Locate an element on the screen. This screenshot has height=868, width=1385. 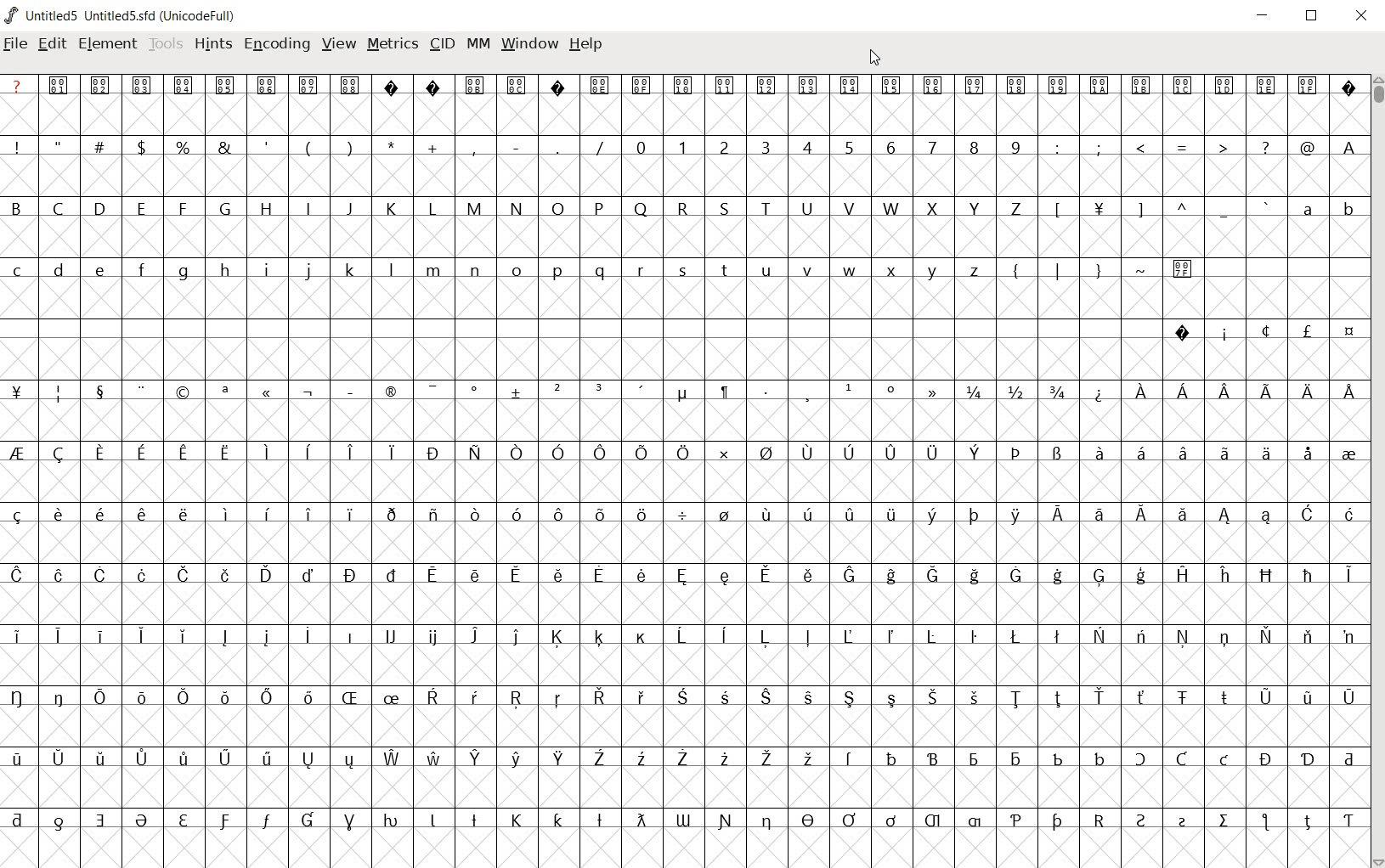
WINDOW is located at coordinates (529, 46).